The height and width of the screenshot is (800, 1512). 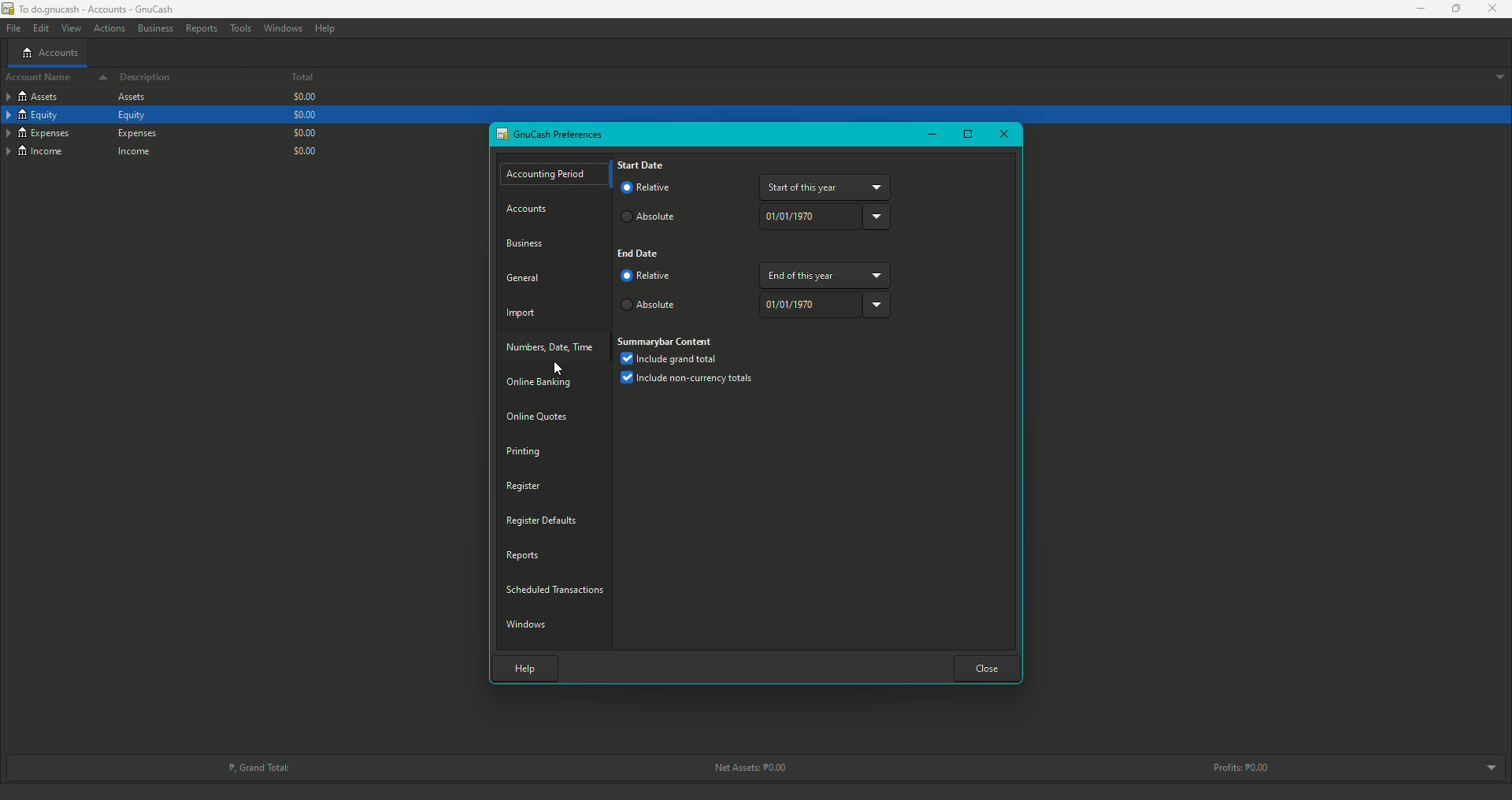 What do you see at coordinates (669, 360) in the screenshot?
I see `Include grand total` at bounding box center [669, 360].